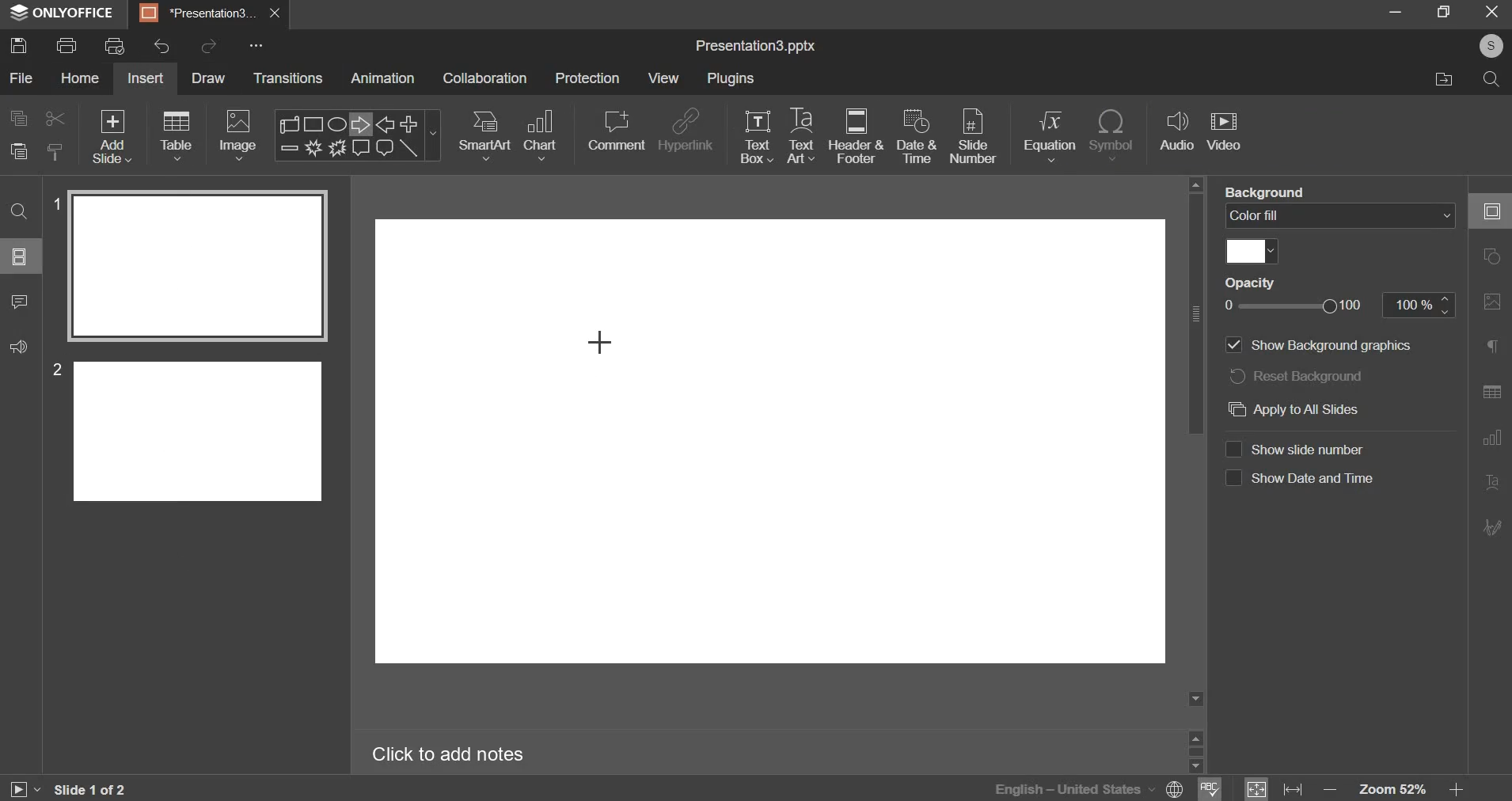 This screenshot has width=1512, height=801. I want to click on find, so click(19, 212).